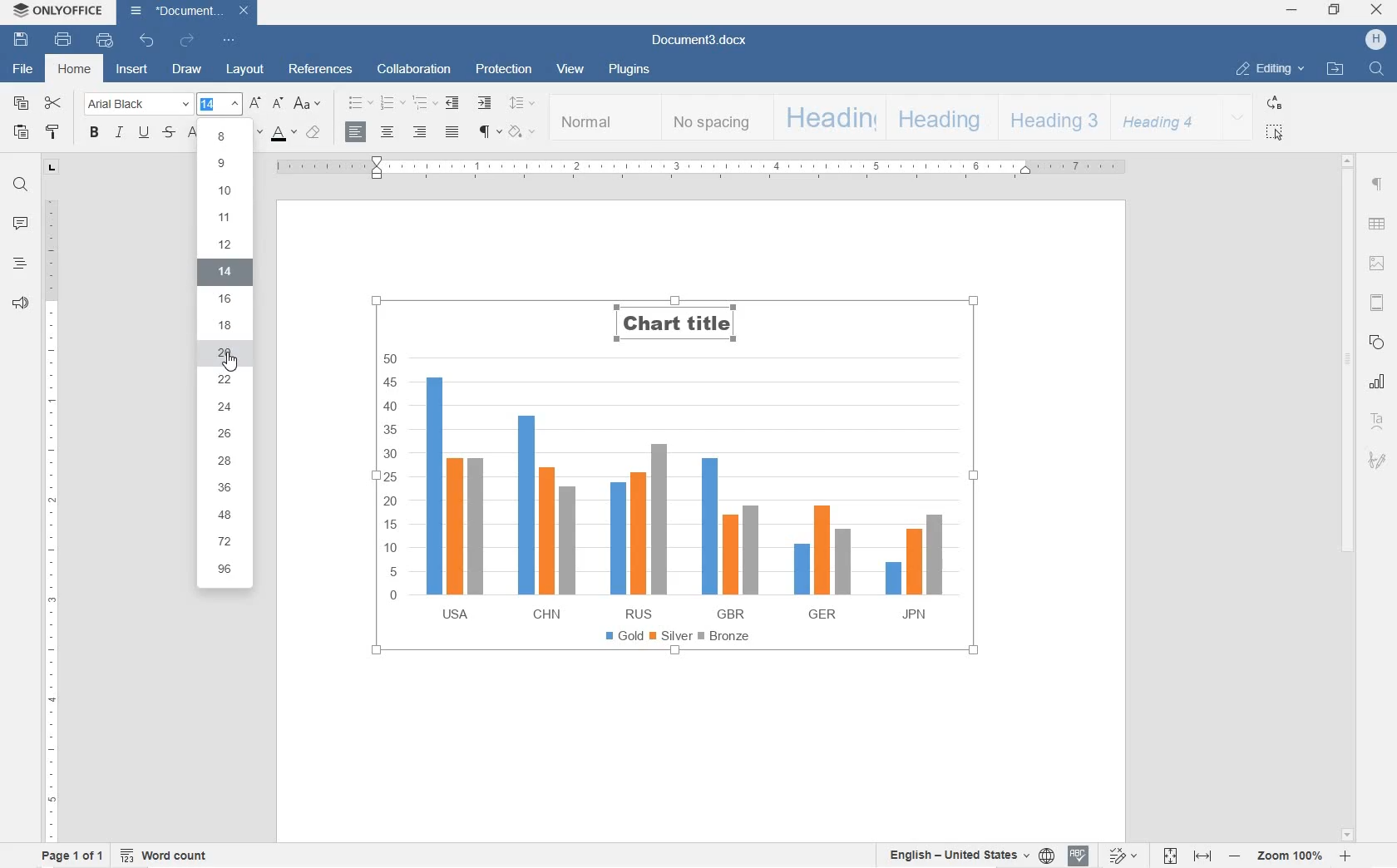  I want to click on RULER, so click(698, 169).